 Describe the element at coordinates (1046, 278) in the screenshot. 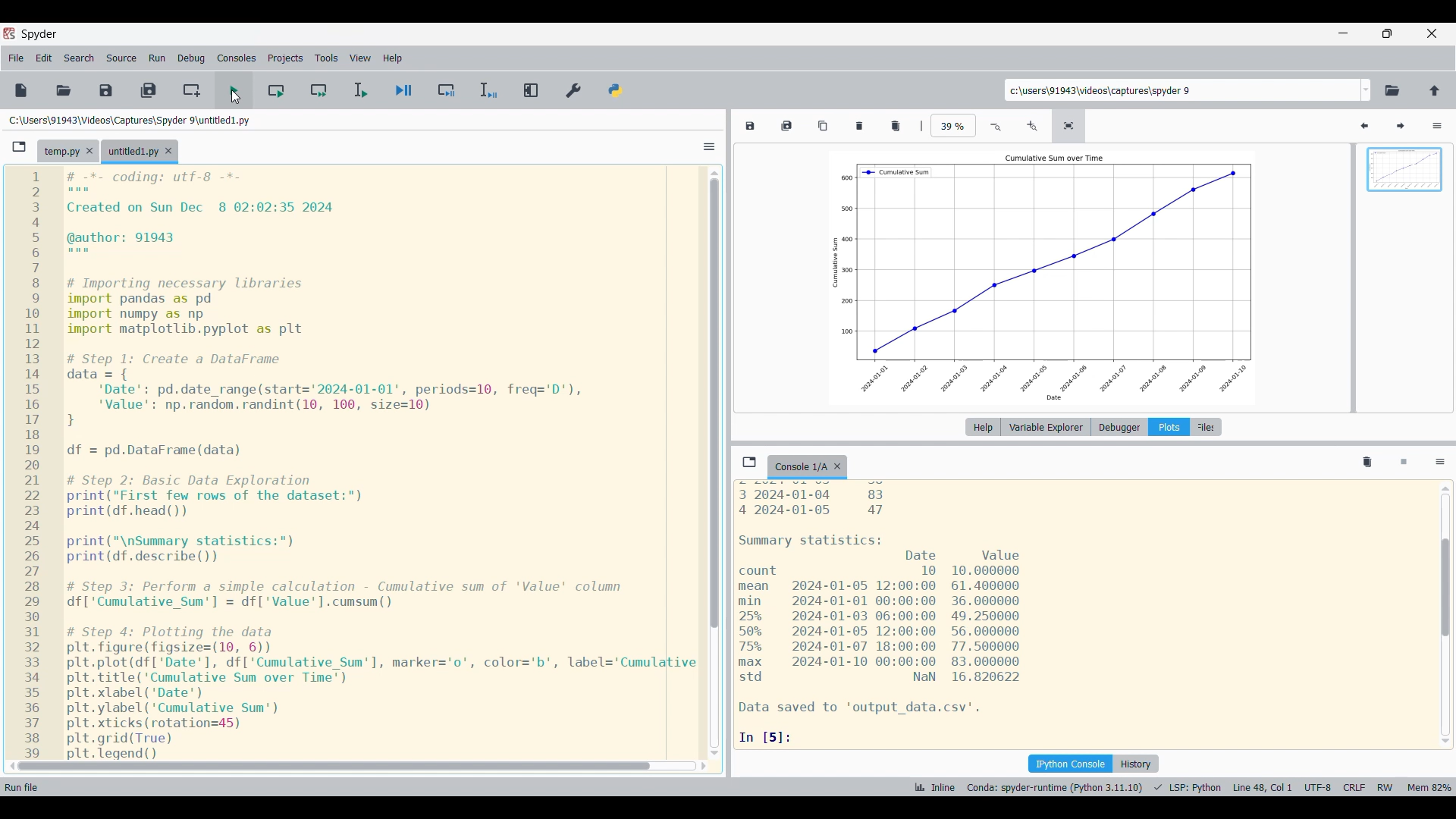

I see `Plot view after running code` at that location.